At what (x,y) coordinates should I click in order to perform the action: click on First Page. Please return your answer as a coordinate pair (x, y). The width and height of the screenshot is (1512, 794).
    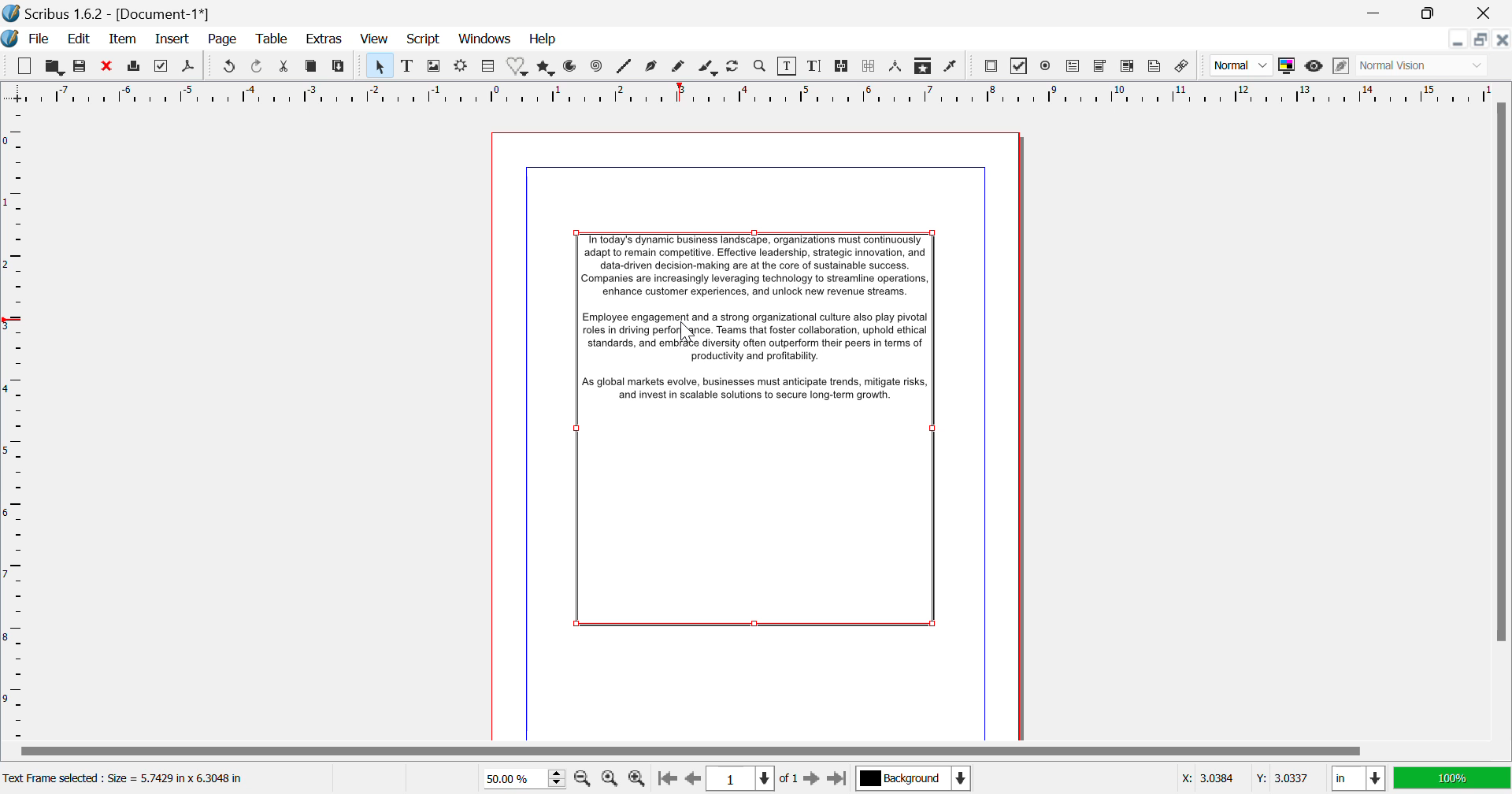
    Looking at the image, I should click on (666, 779).